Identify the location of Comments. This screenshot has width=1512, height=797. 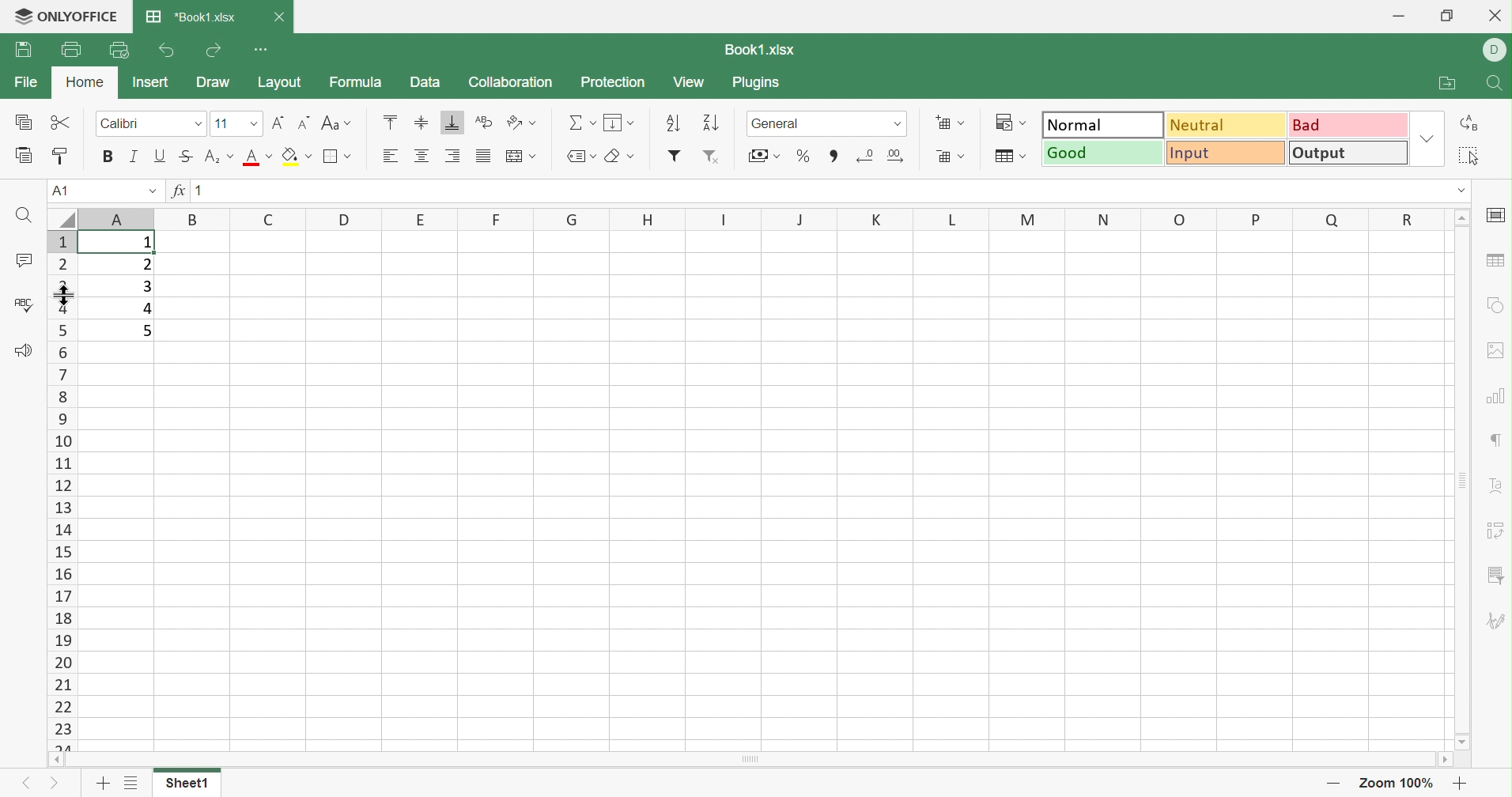
(24, 260).